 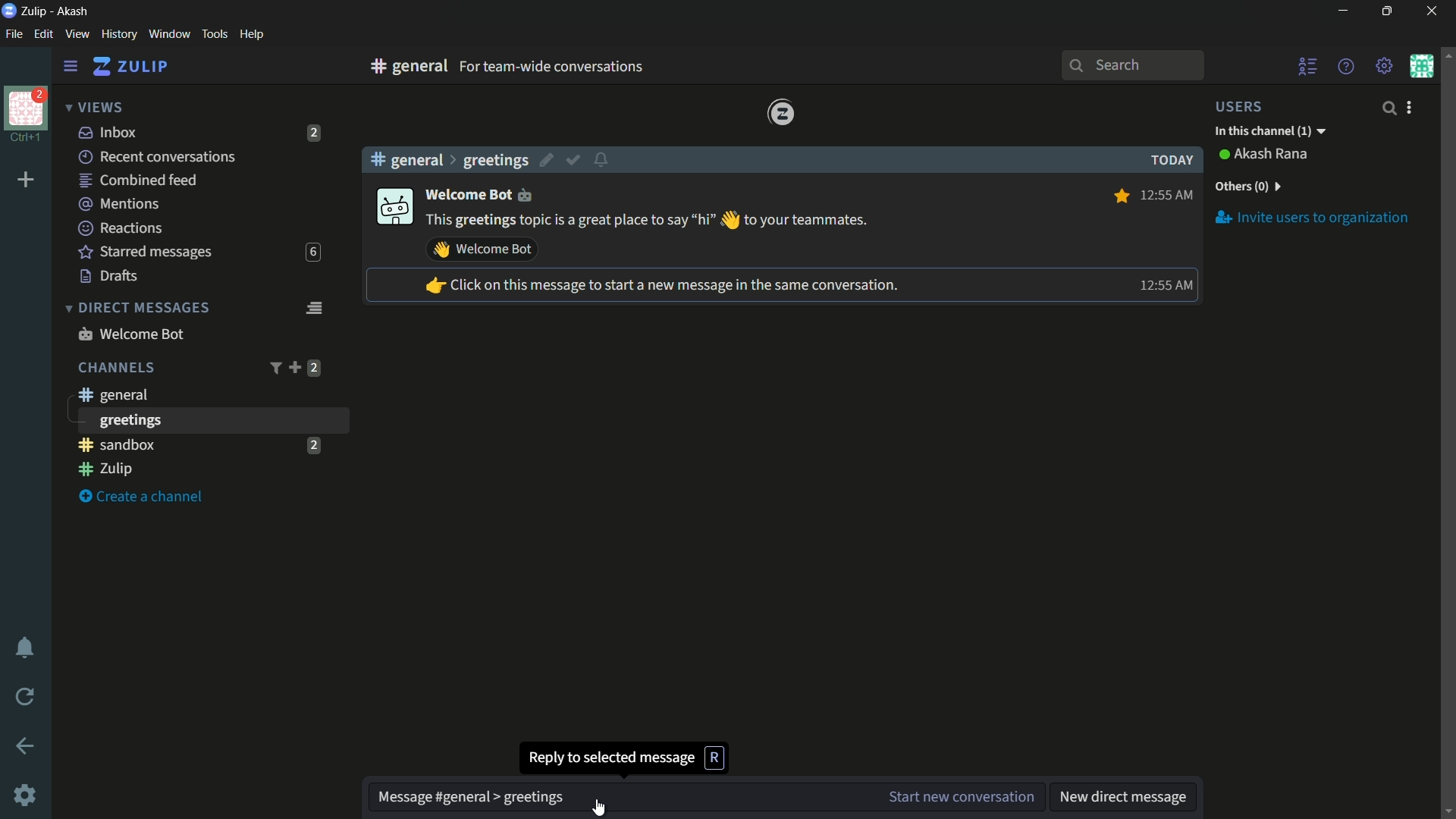 I want to click on welcome bot, so click(x=130, y=334).